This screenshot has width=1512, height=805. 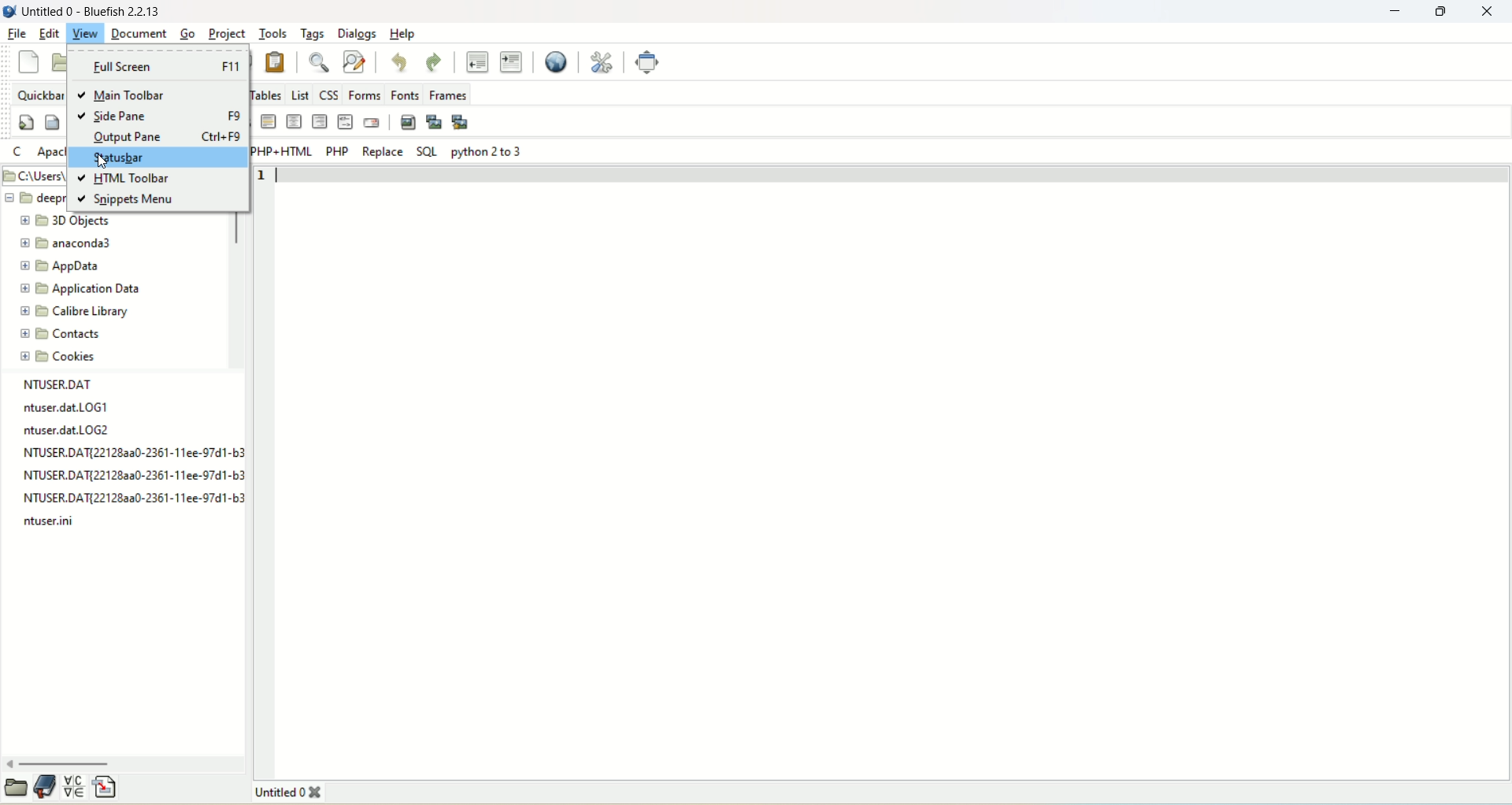 What do you see at coordinates (299, 95) in the screenshot?
I see `list` at bounding box center [299, 95].